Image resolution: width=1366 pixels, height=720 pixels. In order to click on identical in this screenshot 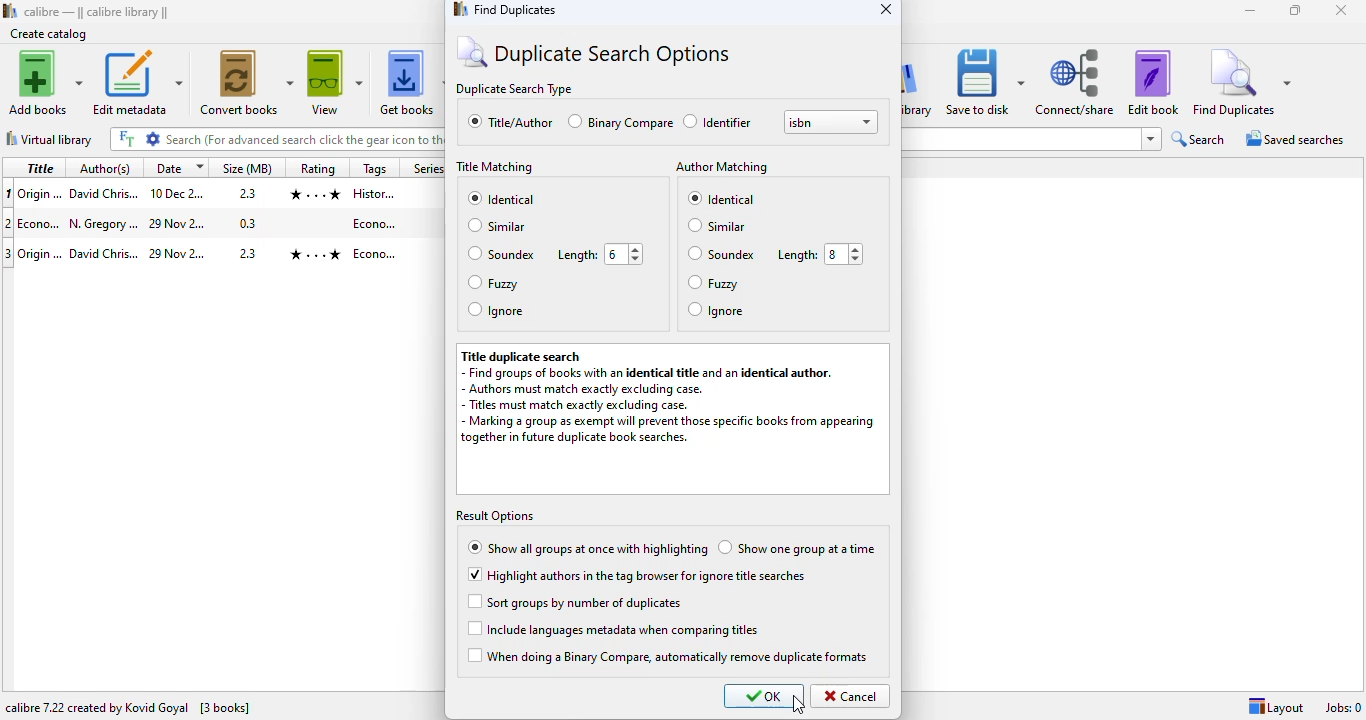, I will do `click(721, 197)`.